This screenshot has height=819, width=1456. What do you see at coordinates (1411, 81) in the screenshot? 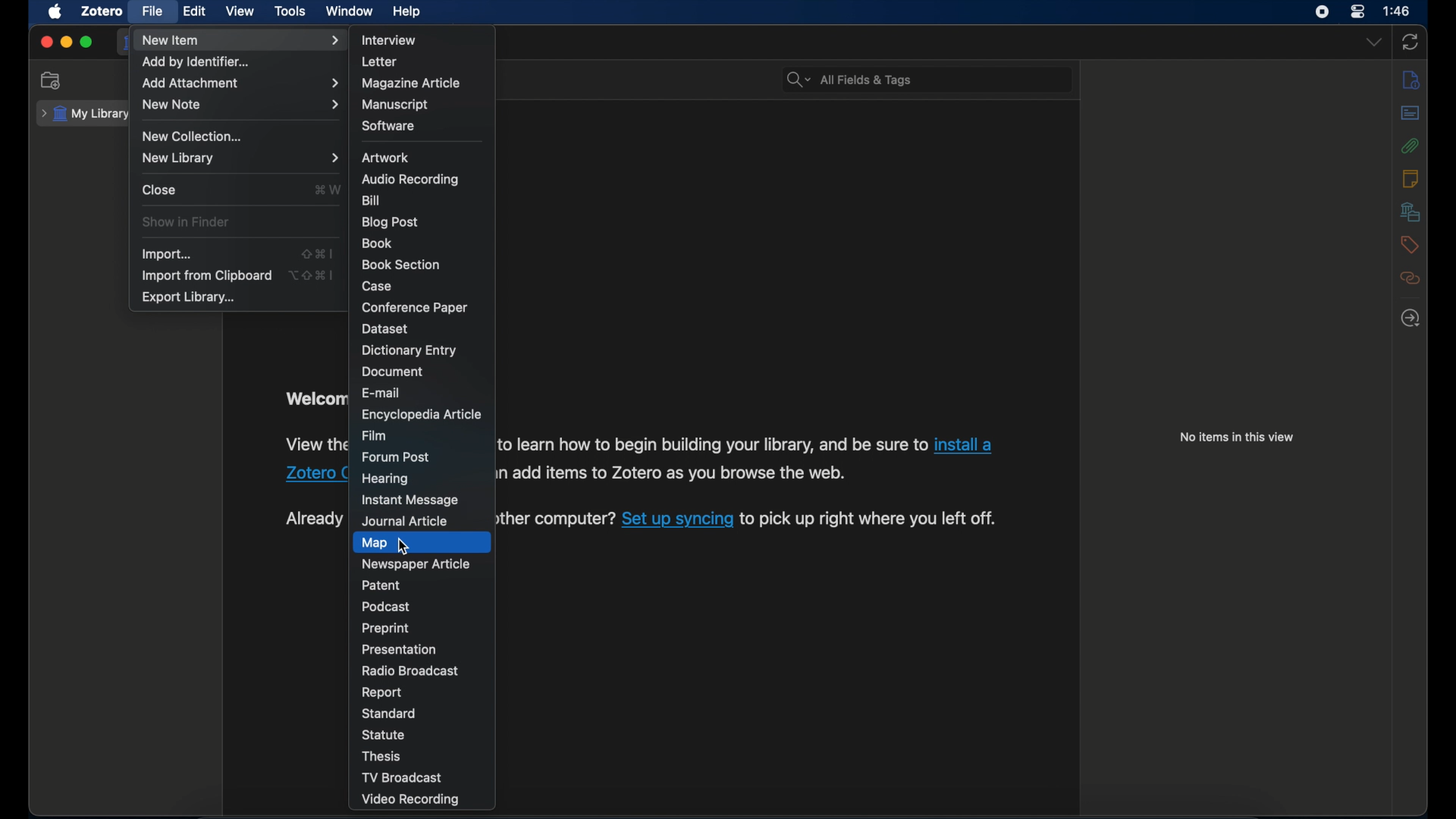
I see `info` at bounding box center [1411, 81].